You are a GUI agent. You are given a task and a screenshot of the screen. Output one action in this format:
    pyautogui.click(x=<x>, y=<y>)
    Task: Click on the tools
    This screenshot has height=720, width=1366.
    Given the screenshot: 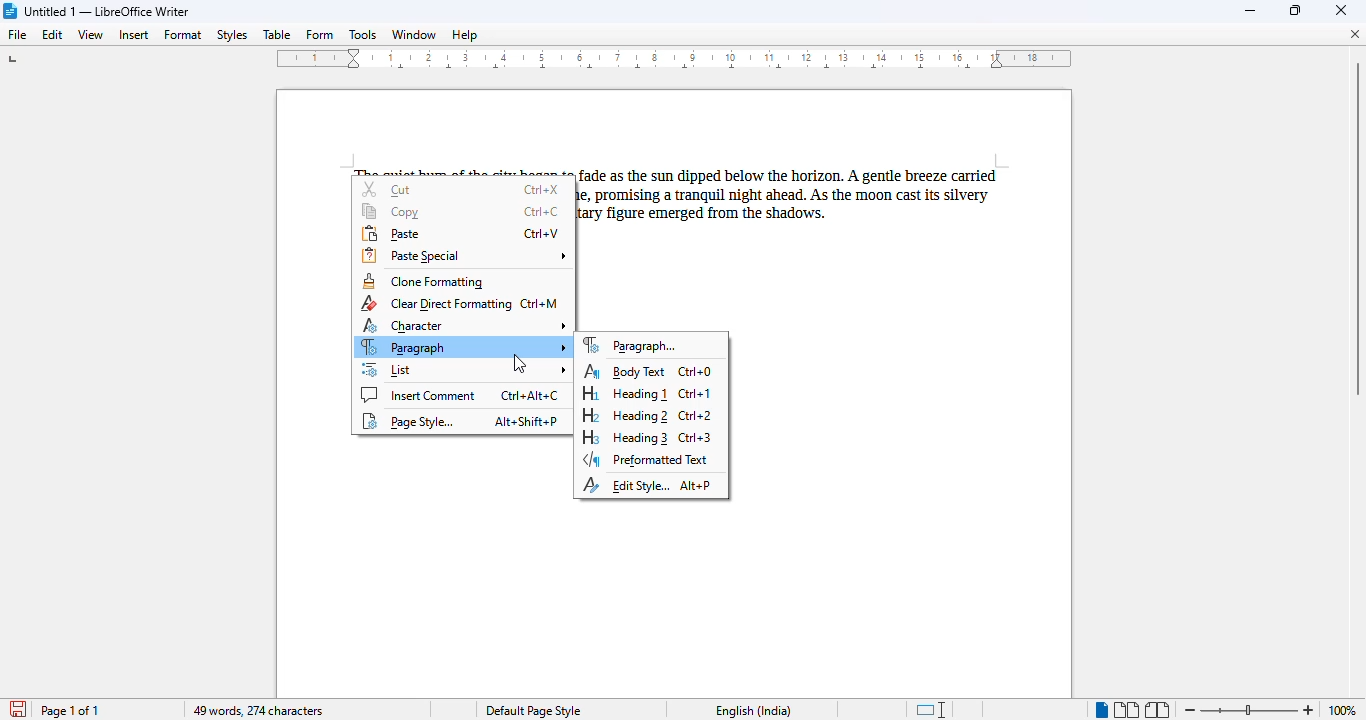 What is the action you would take?
    pyautogui.click(x=363, y=34)
    